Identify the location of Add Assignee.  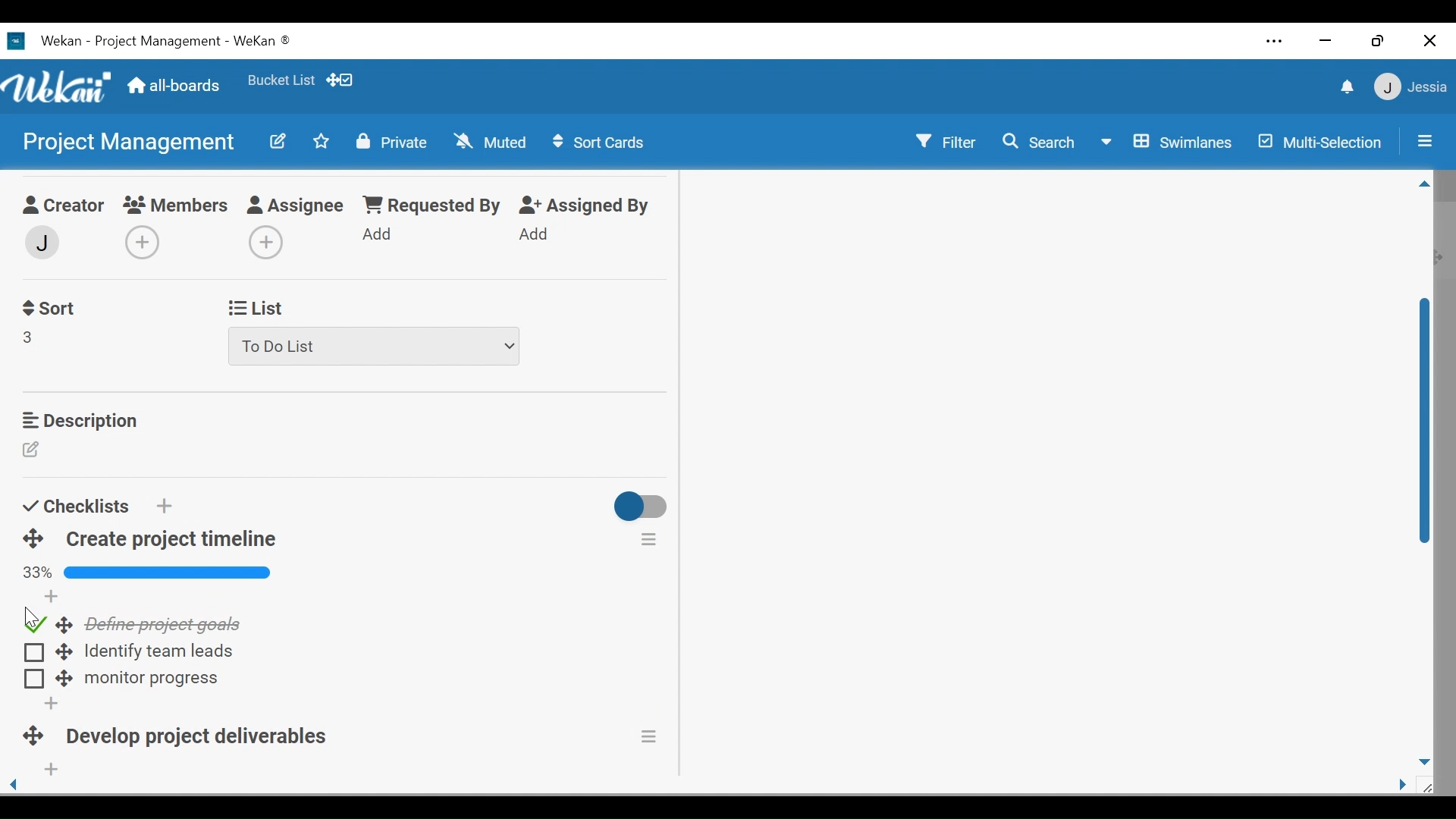
(263, 243).